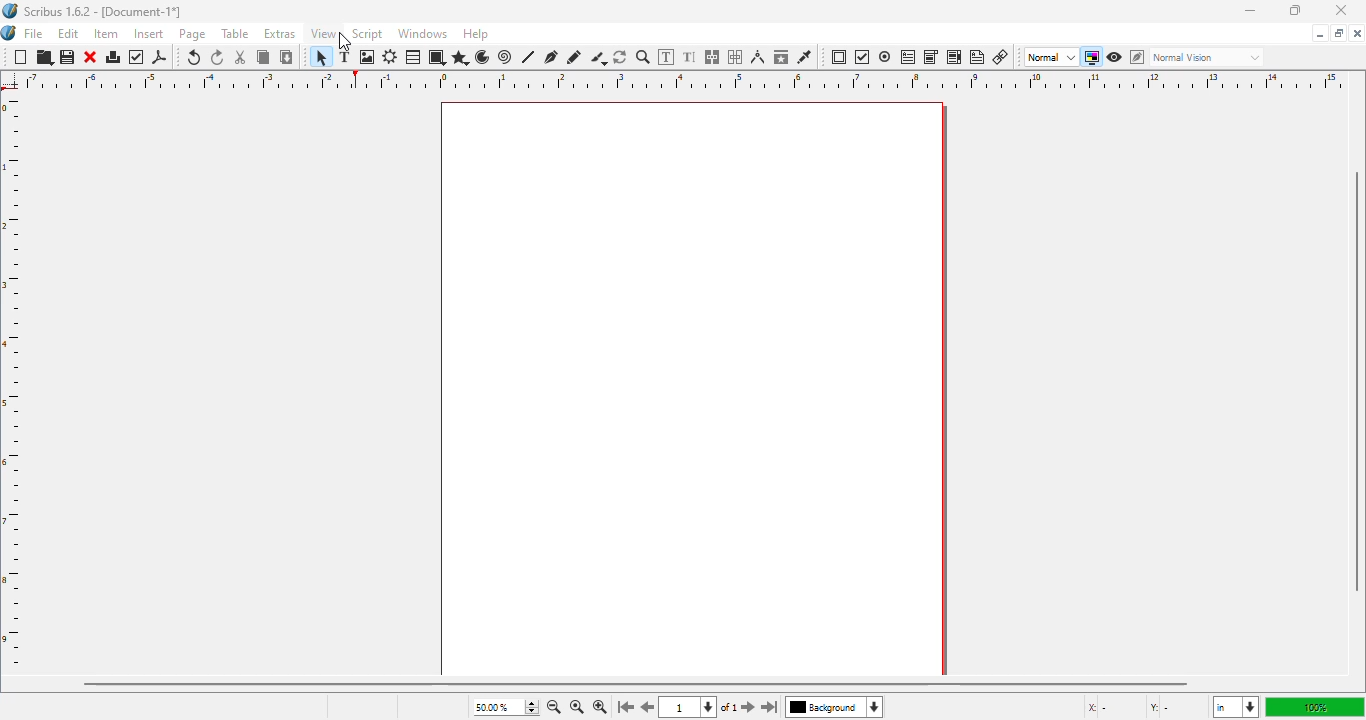 The image size is (1366, 720). Describe the element at coordinates (694, 376) in the screenshot. I see `workspace` at that location.